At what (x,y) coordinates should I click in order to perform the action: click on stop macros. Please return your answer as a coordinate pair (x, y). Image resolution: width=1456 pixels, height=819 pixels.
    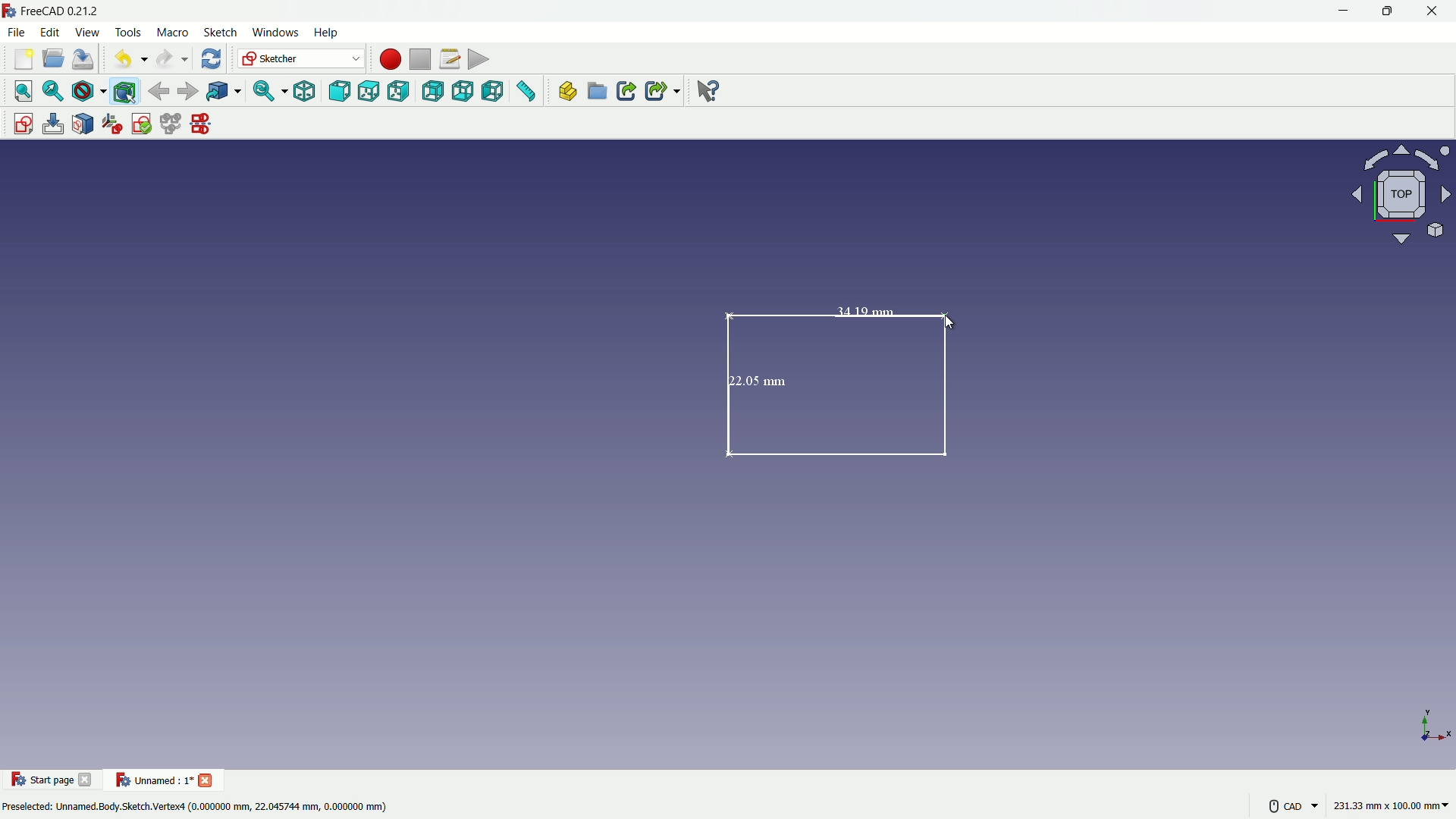
    Looking at the image, I should click on (418, 60).